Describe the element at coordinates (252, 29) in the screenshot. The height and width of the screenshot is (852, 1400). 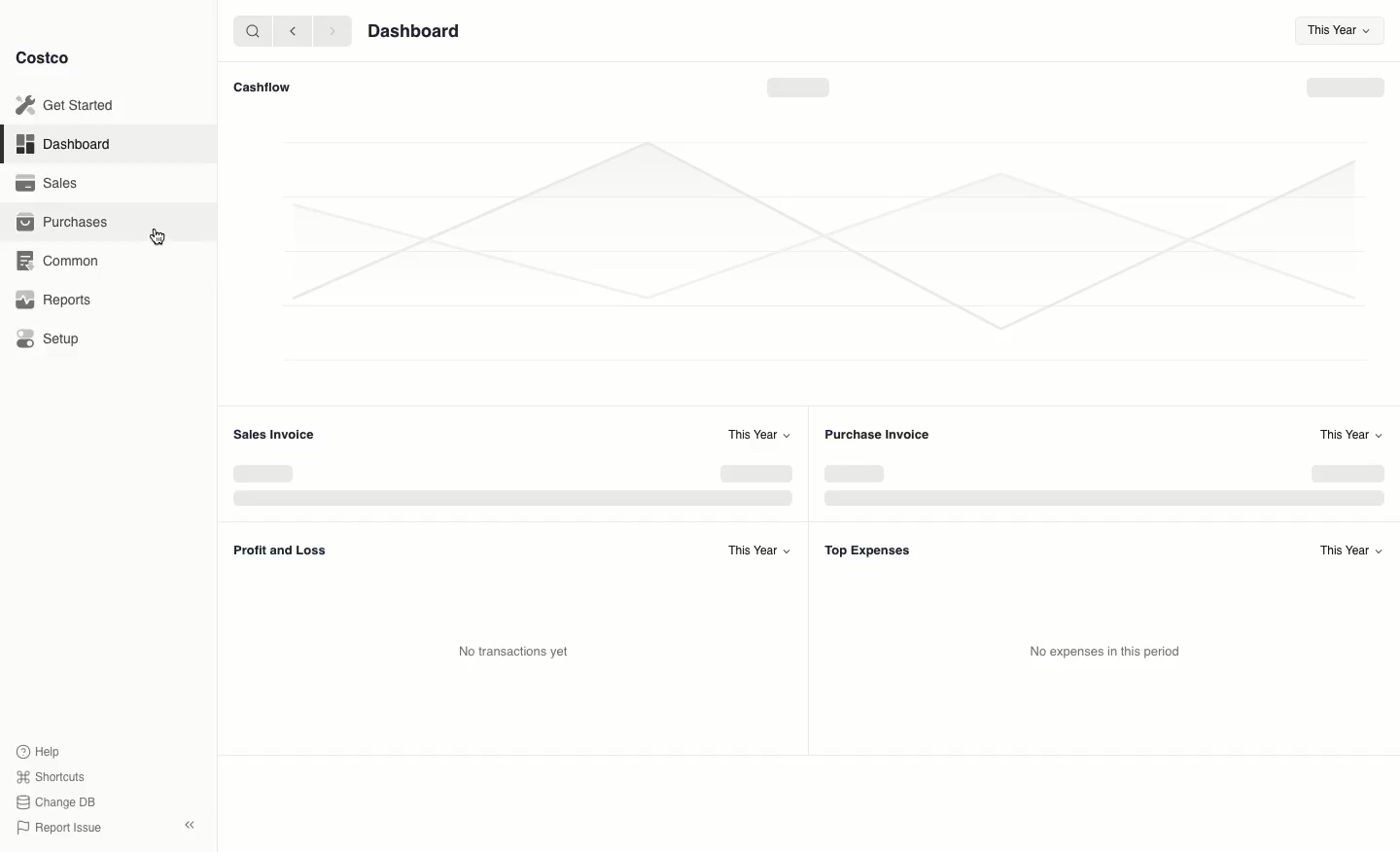
I see `Search` at that location.